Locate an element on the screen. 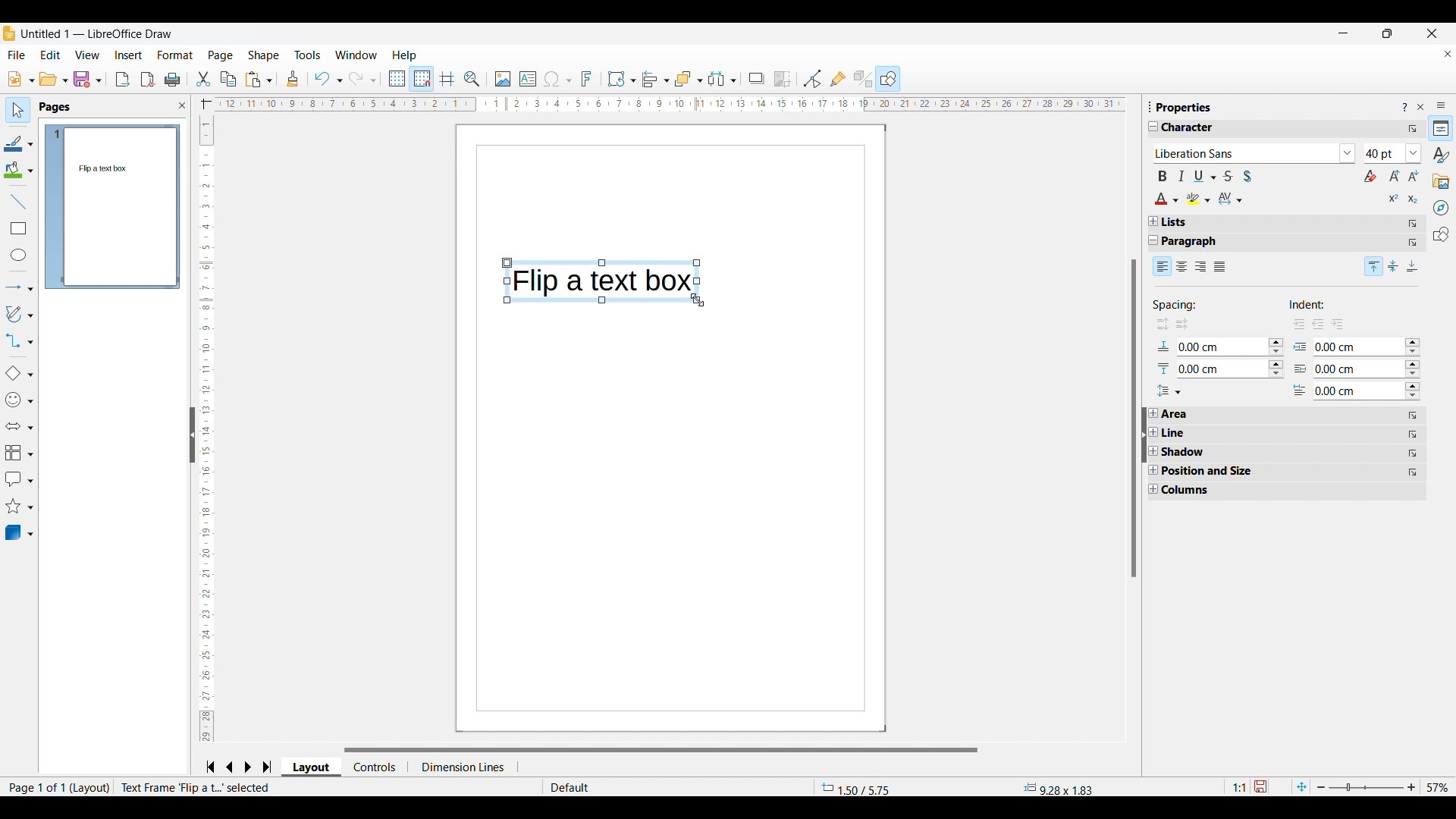 The image size is (1456, 819). Select at least three objects to distribute is located at coordinates (722, 80).